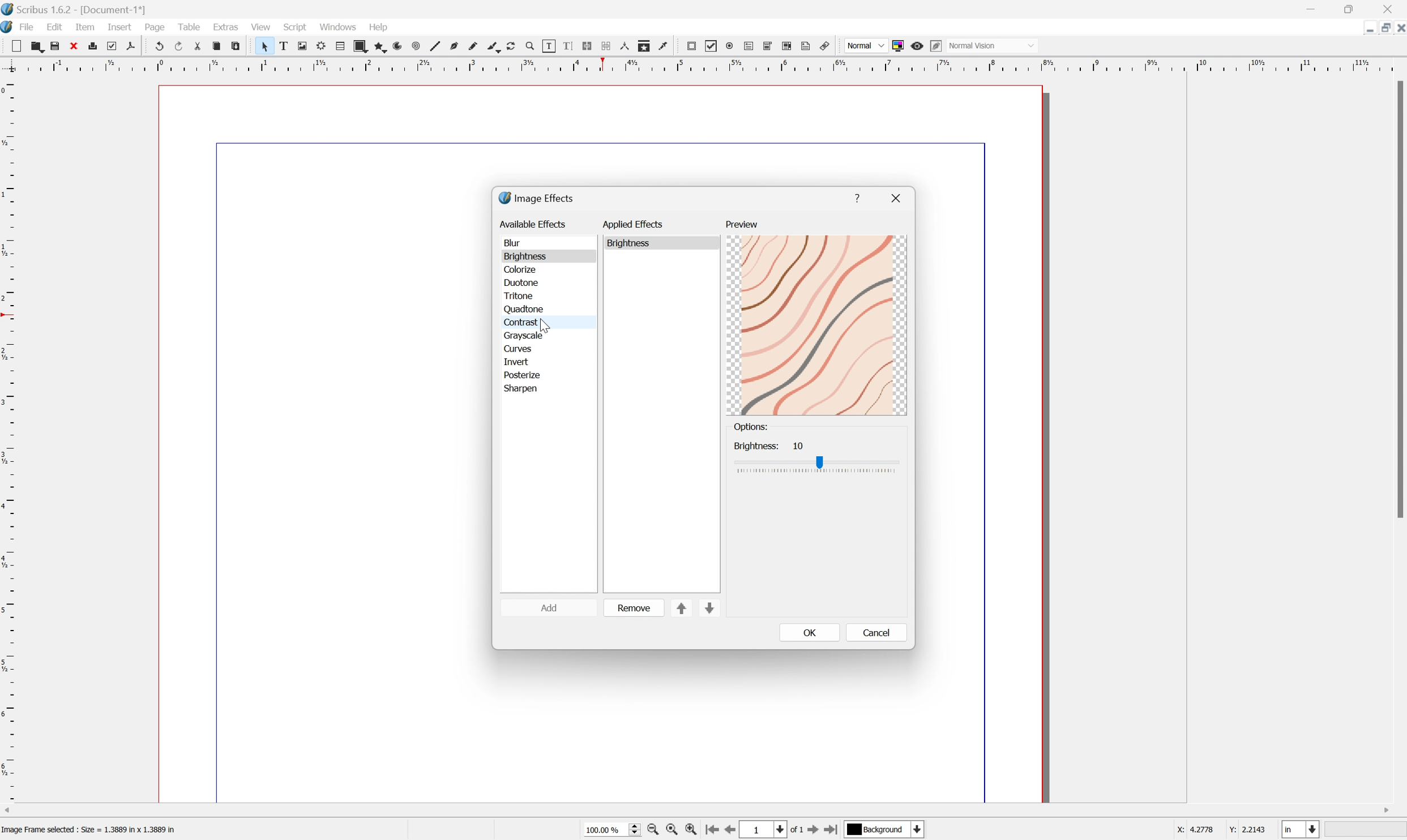 Image resolution: width=1407 pixels, height=840 pixels. Describe the element at coordinates (521, 269) in the screenshot. I see `colorize` at that location.